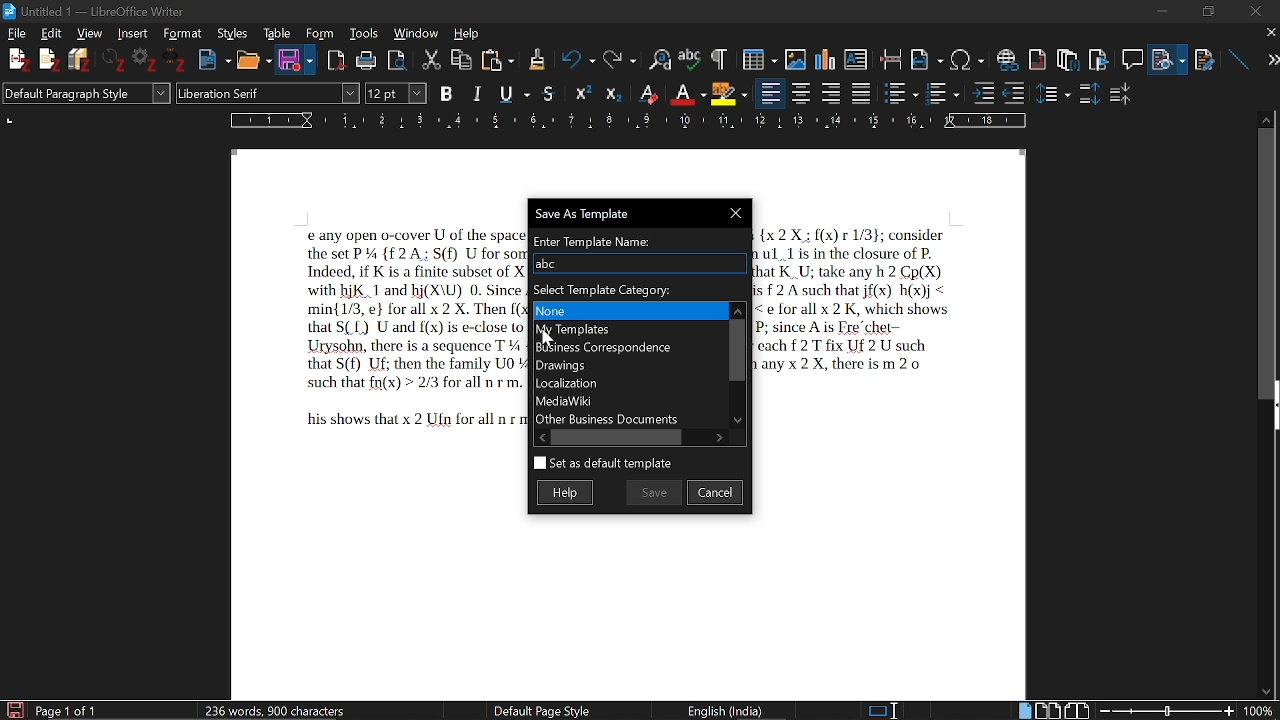 The image size is (1280, 720). Describe the element at coordinates (884, 710) in the screenshot. I see `standard selection` at that location.